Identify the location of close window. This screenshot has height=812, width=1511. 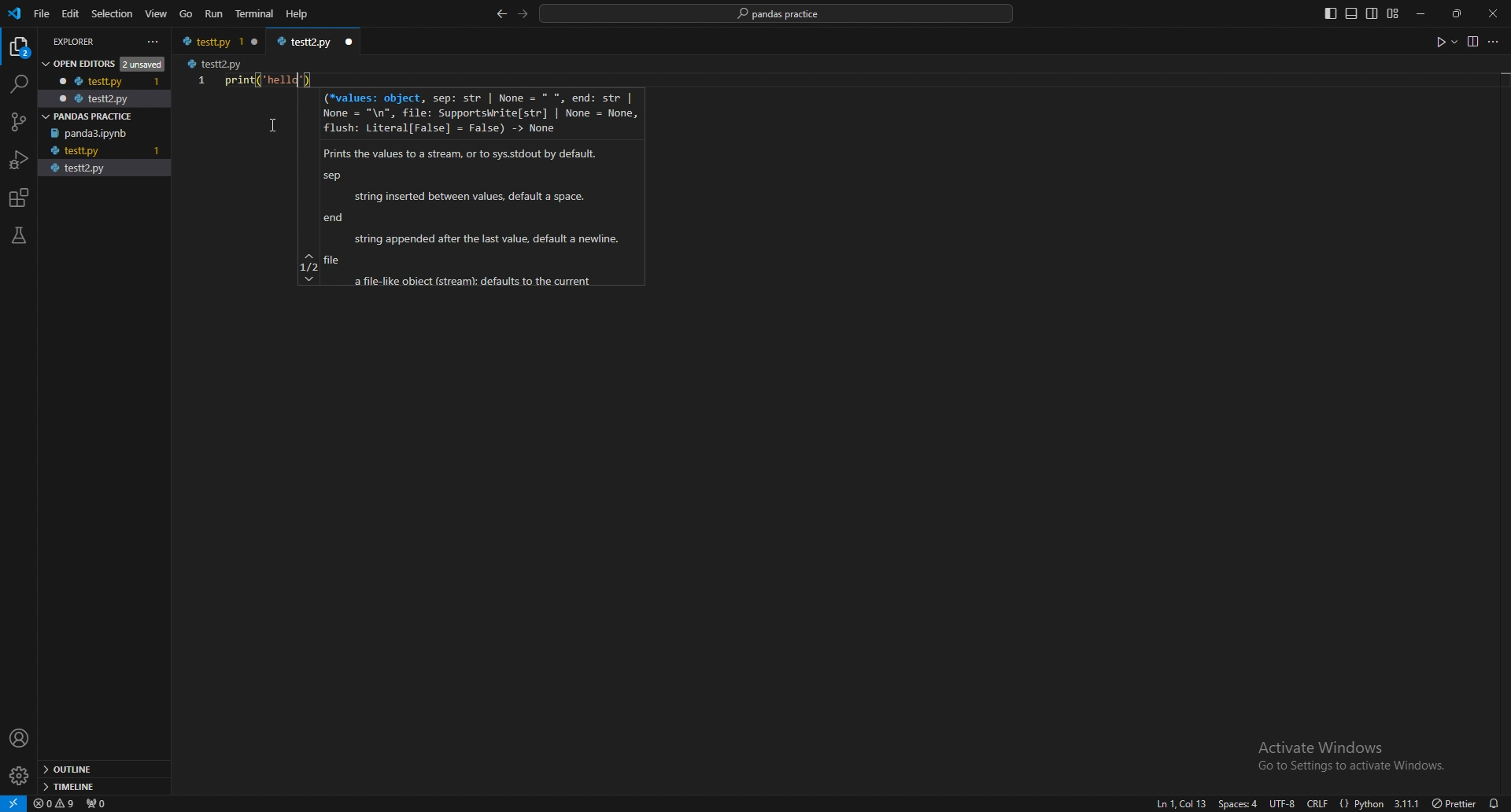
(349, 41).